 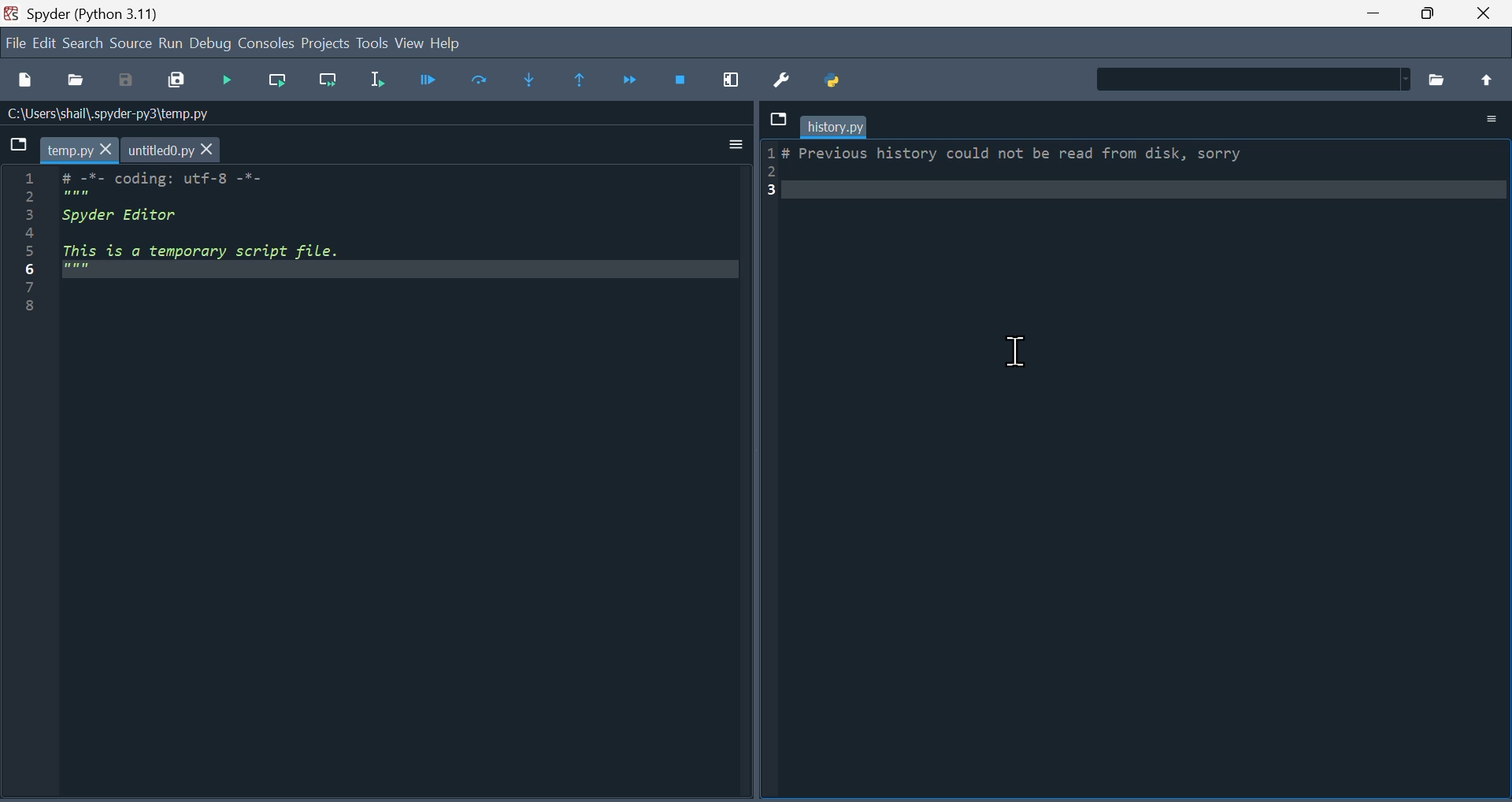 What do you see at coordinates (633, 80) in the screenshot?
I see `Continue execution until next function` at bounding box center [633, 80].